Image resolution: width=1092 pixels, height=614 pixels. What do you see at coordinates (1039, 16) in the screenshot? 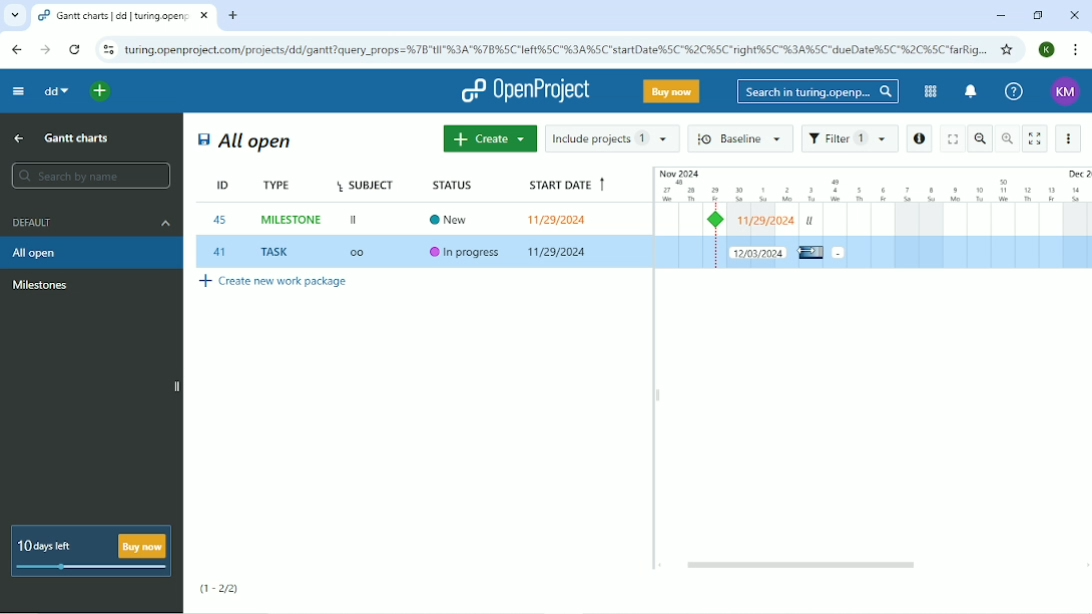
I see `Restore down` at bounding box center [1039, 16].